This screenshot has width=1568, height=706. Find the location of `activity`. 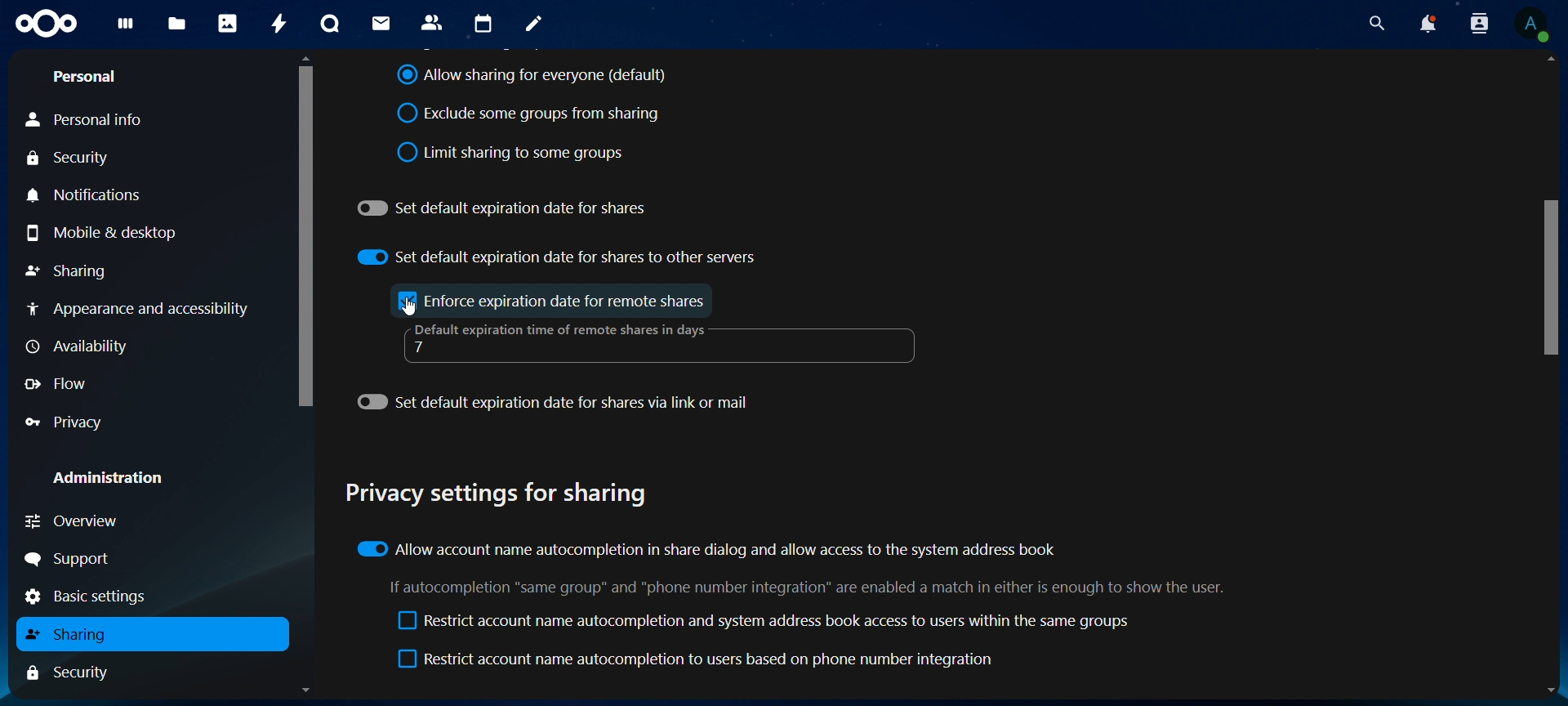

activity is located at coordinates (280, 25).